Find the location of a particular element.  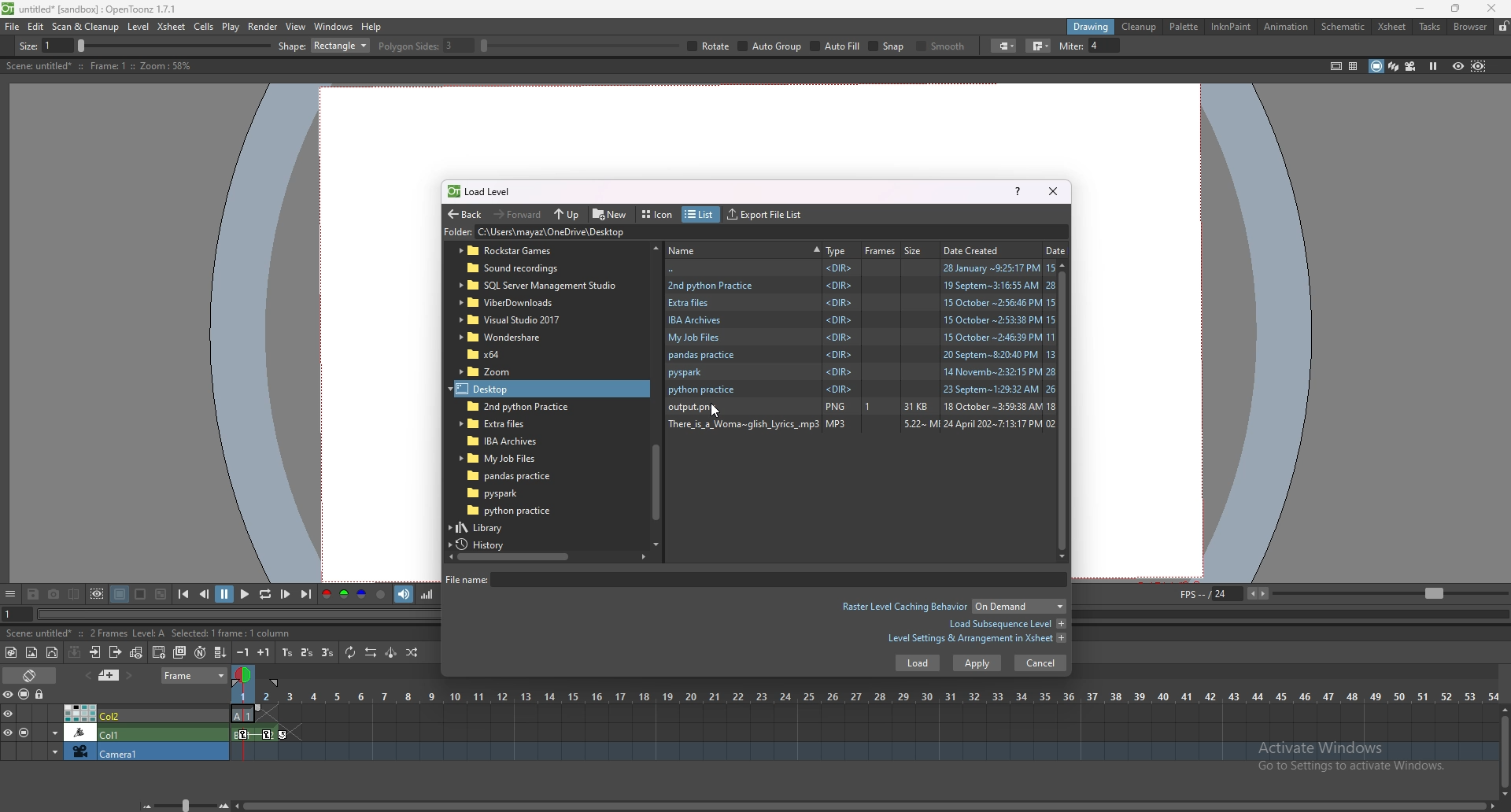

folder is located at coordinates (512, 320).